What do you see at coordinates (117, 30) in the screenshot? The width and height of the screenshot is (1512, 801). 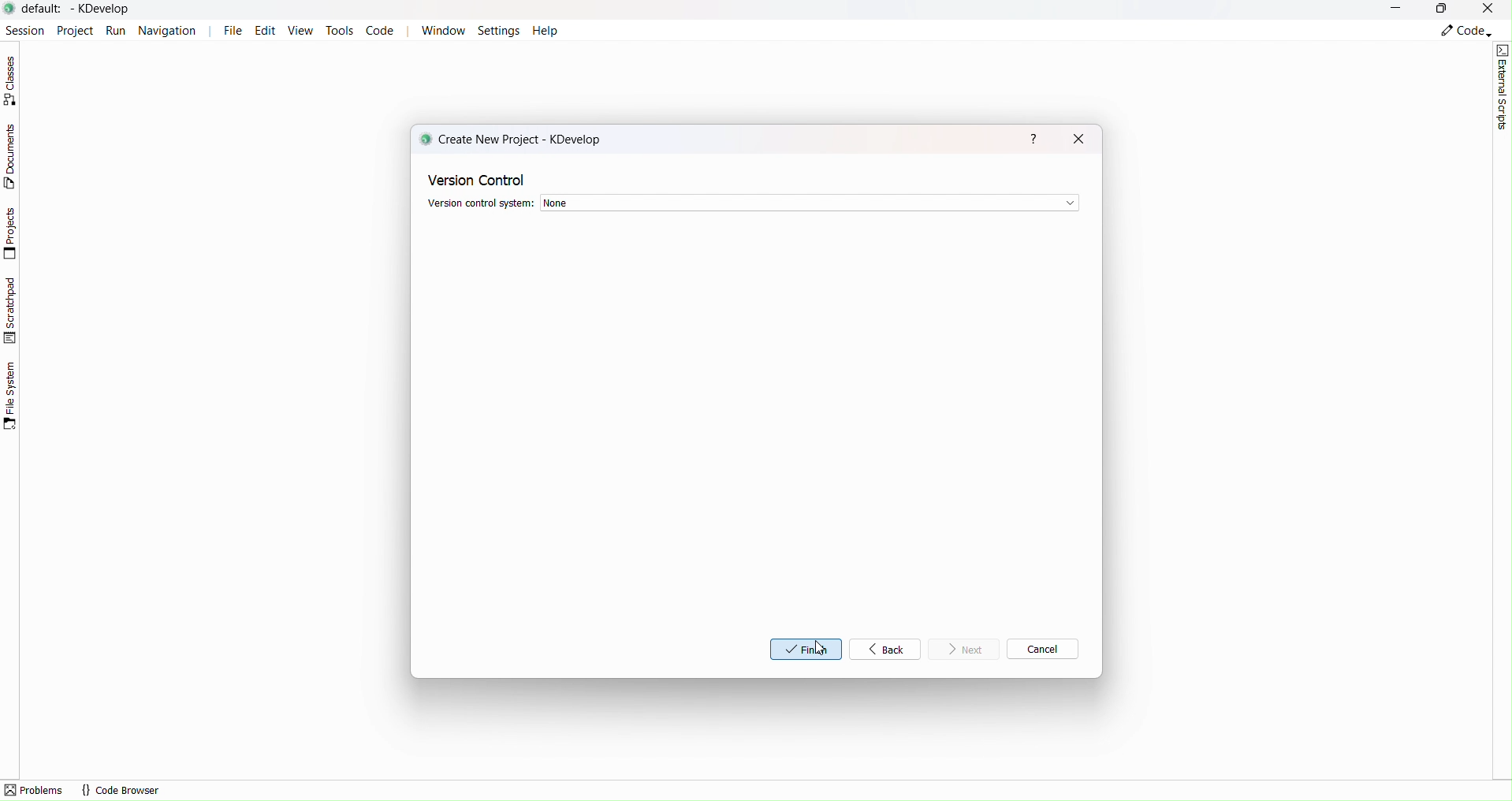 I see `Run` at bounding box center [117, 30].